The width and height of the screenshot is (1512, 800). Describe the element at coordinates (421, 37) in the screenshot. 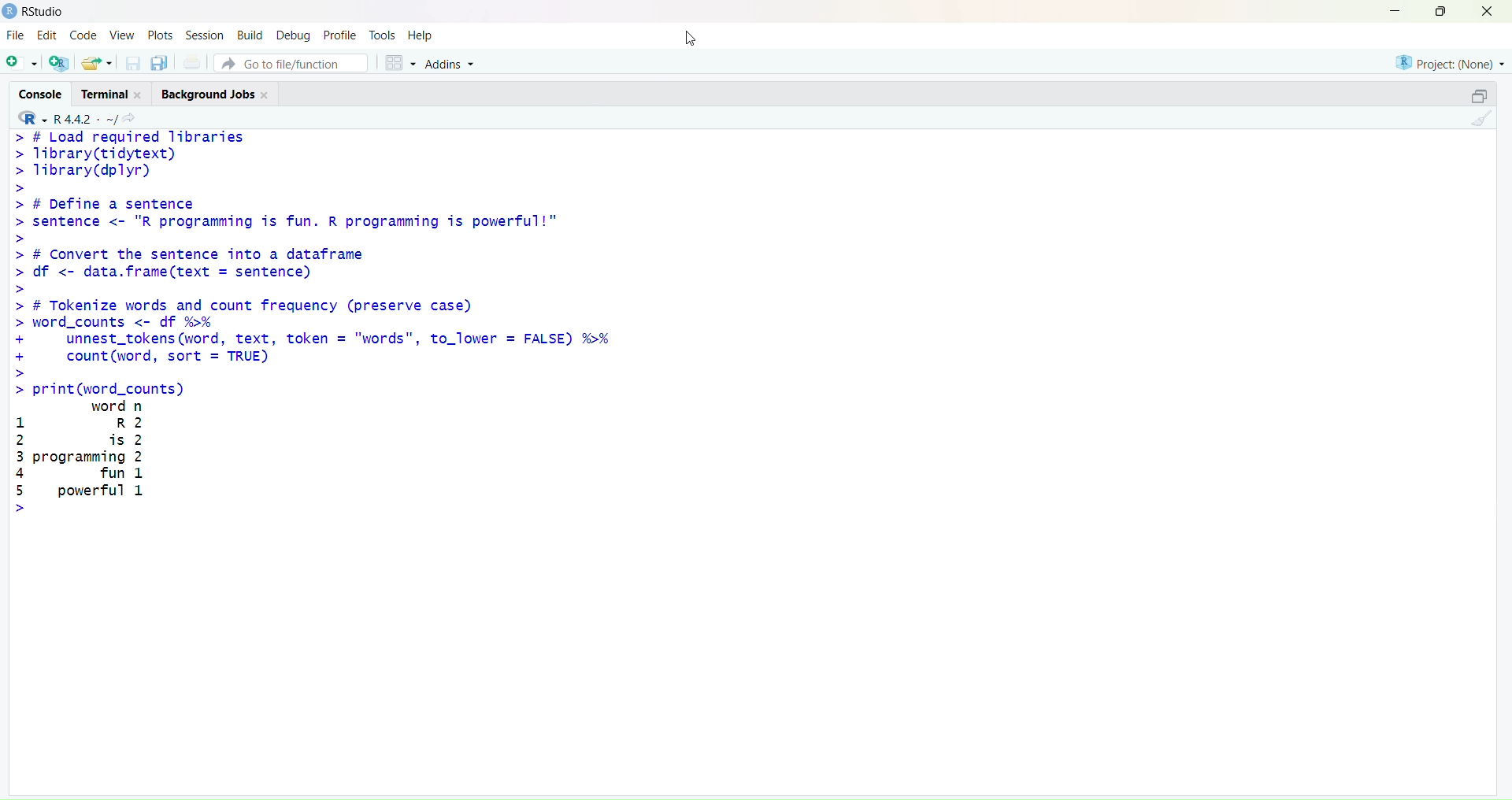

I see `help` at that location.